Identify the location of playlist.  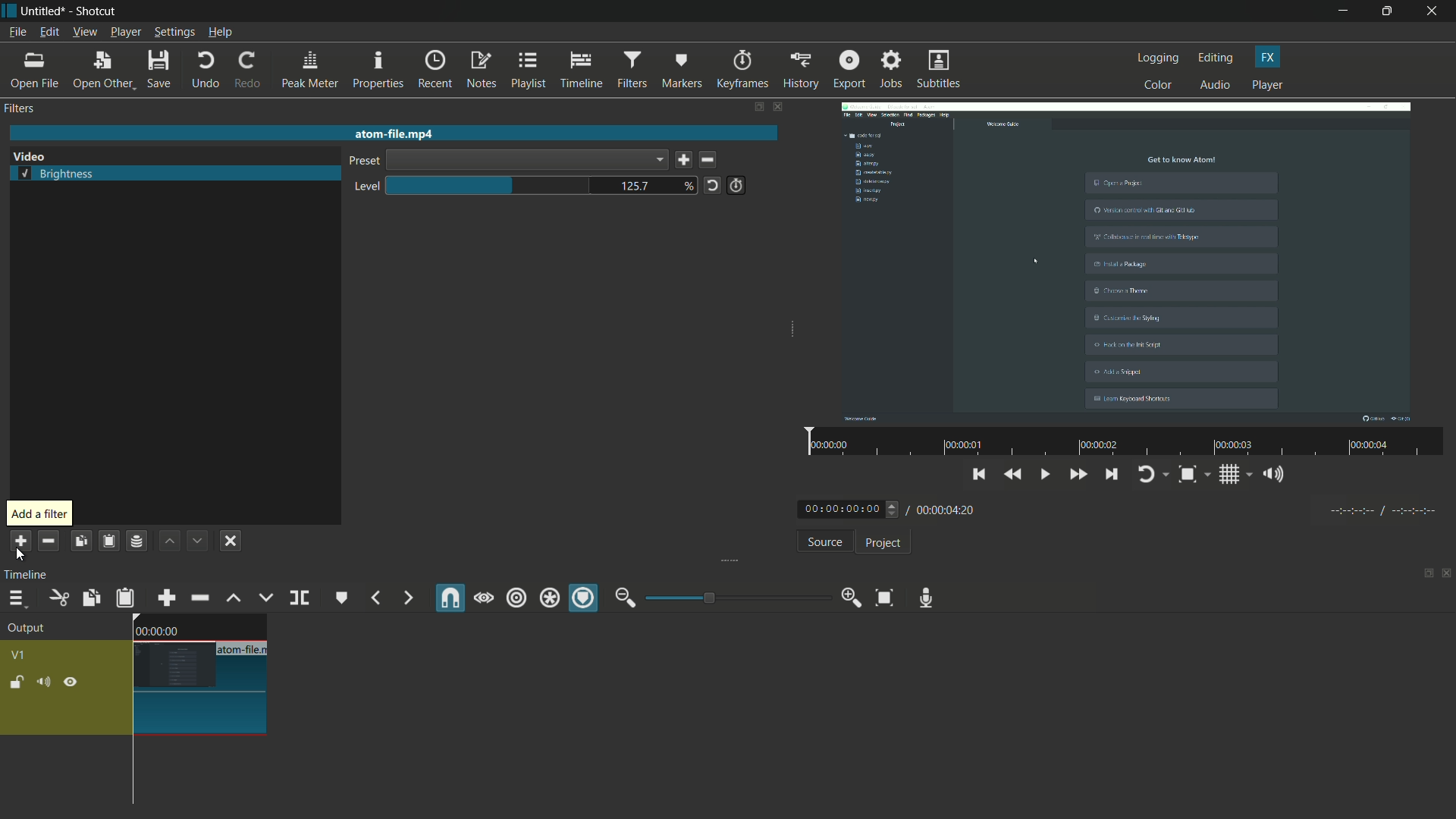
(529, 70).